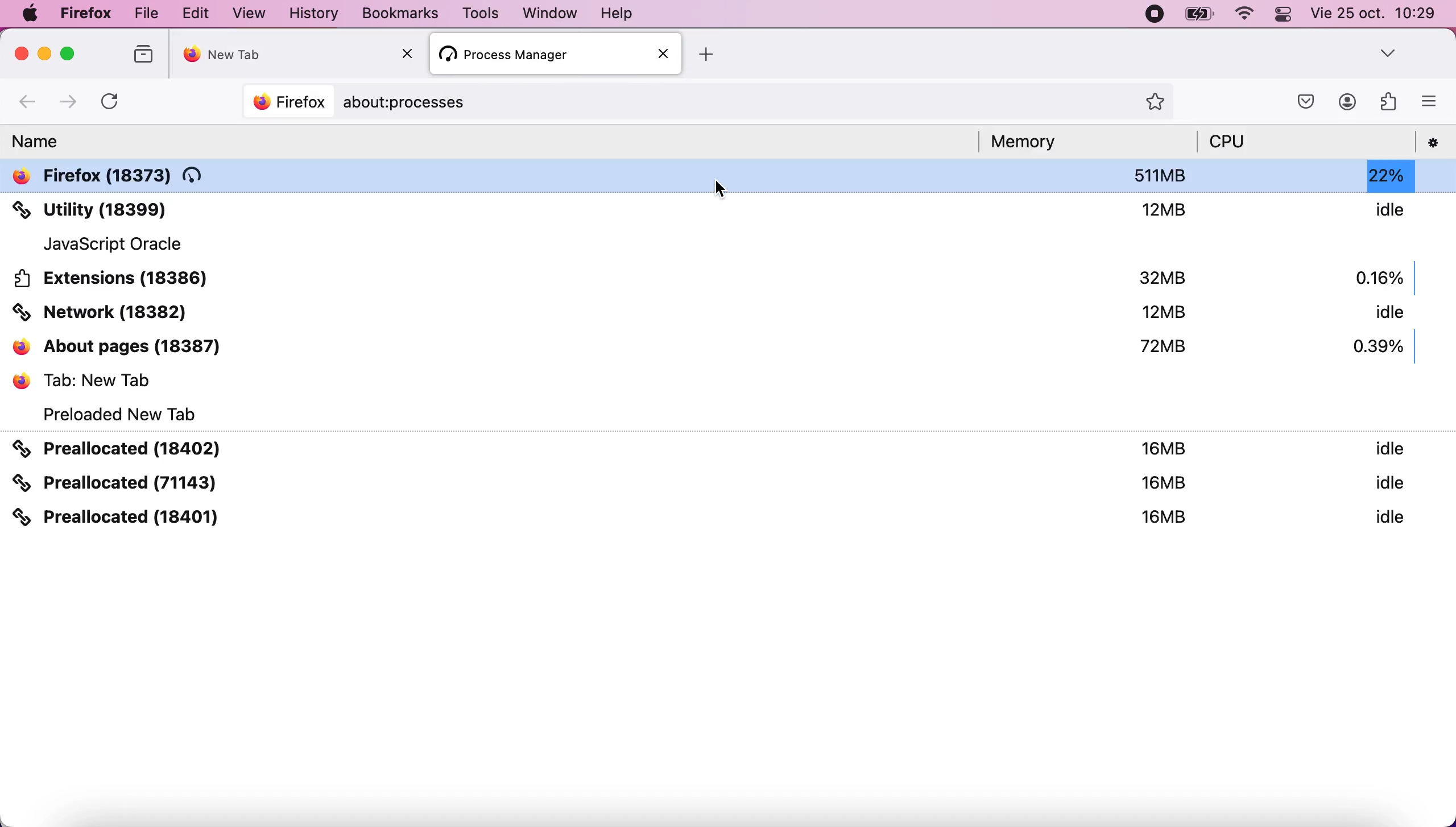 This screenshot has width=1456, height=827. Describe the element at coordinates (480, 13) in the screenshot. I see `Tools` at that location.